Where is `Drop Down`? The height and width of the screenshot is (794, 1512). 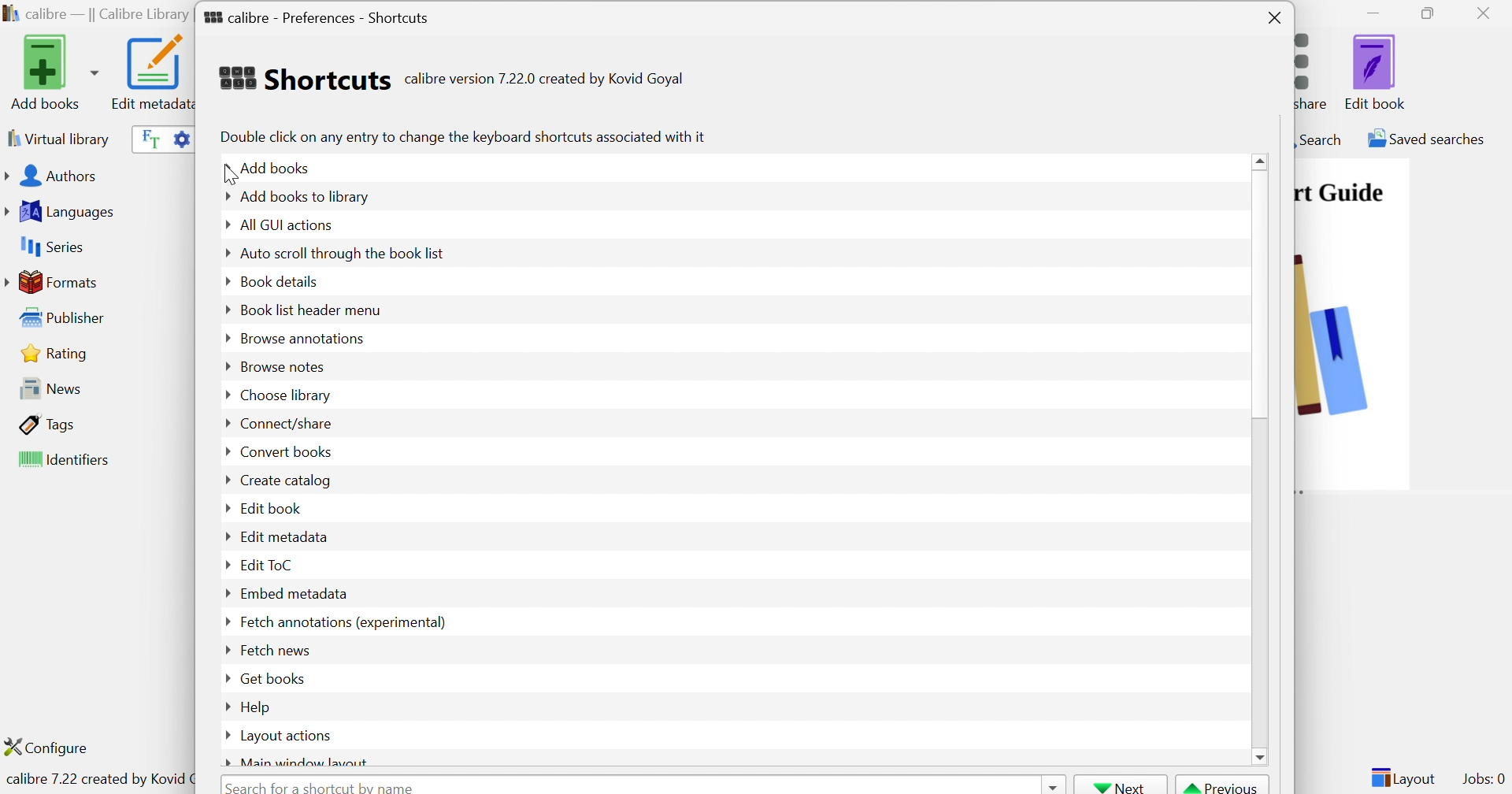 Drop Down is located at coordinates (224, 169).